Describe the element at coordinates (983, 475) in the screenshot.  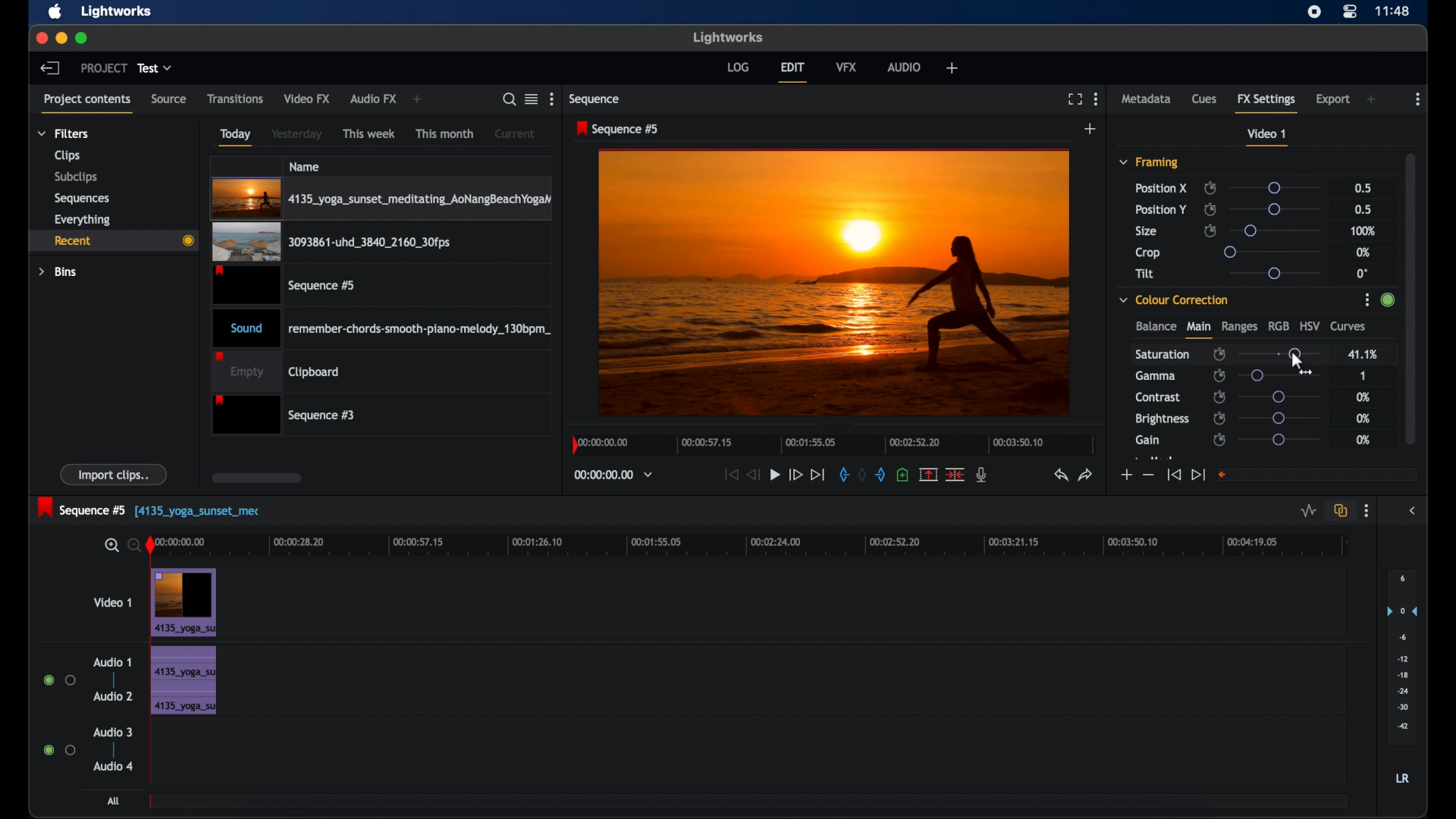
I see `mic` at that location.